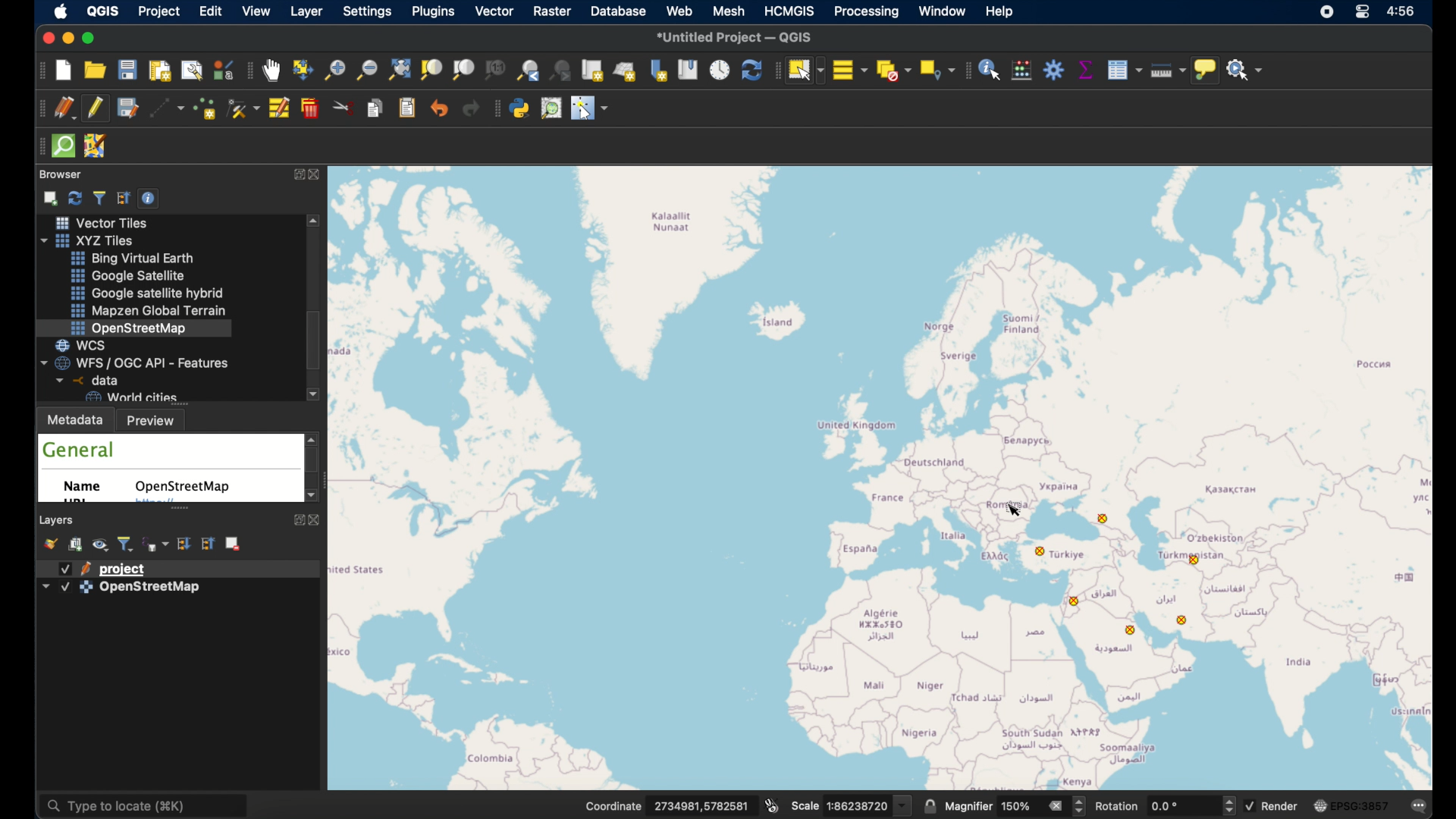 This screenshot has height=819, width=1456. I want to click on point feature, so click(1041, 551).